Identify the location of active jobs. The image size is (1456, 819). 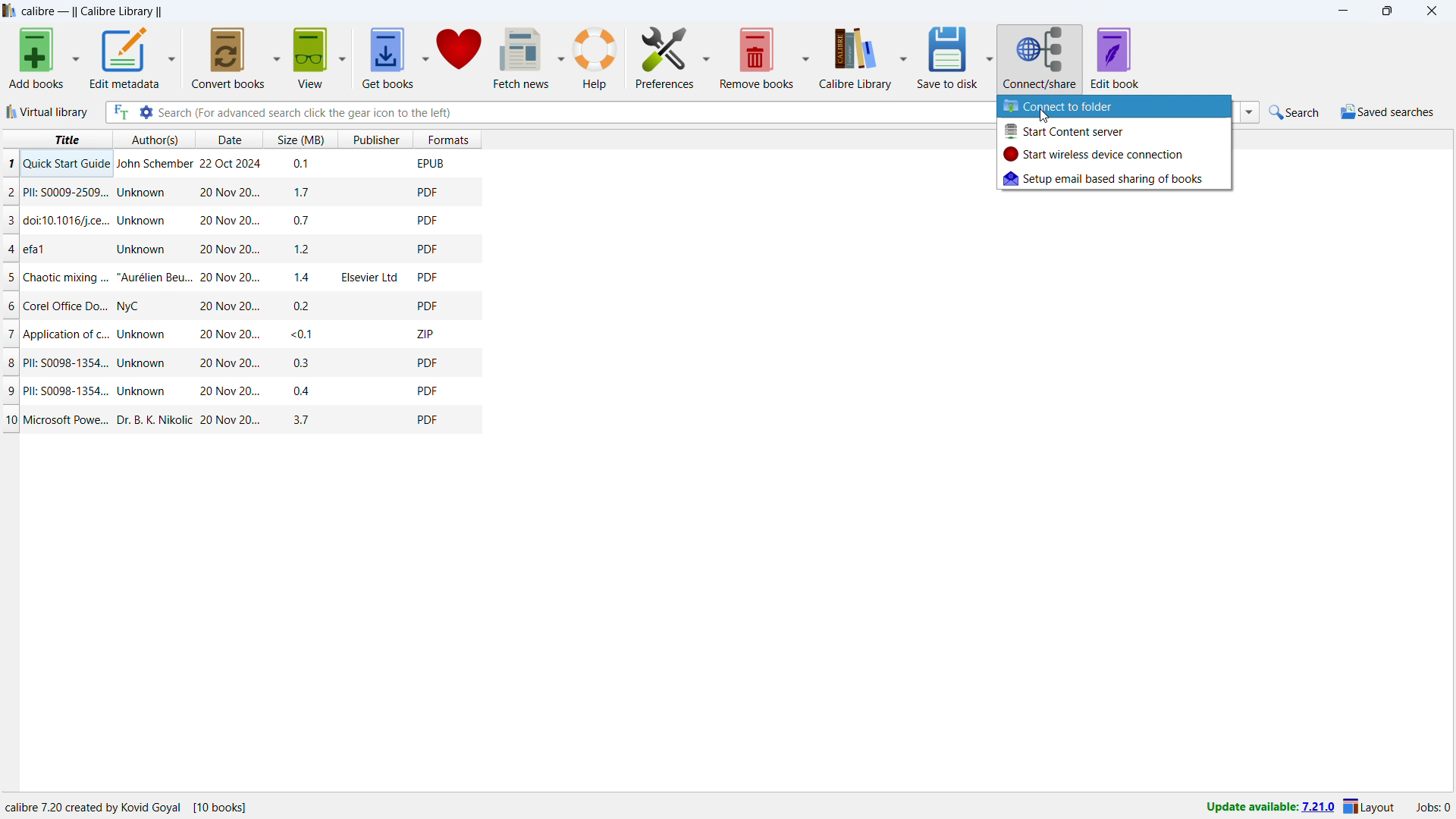
(1433, 808).